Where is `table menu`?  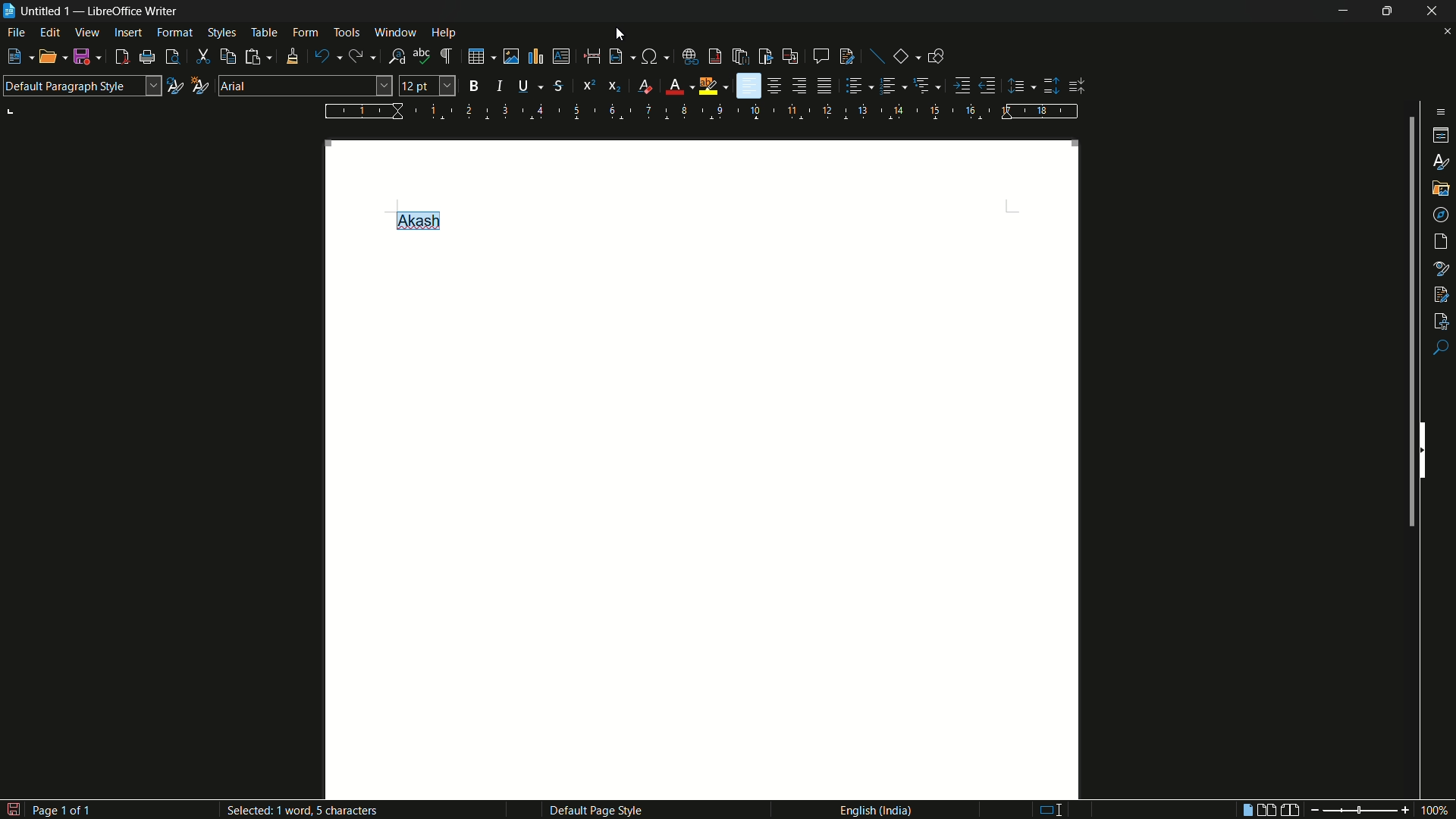
table menu is located at coordinates (264, 33).